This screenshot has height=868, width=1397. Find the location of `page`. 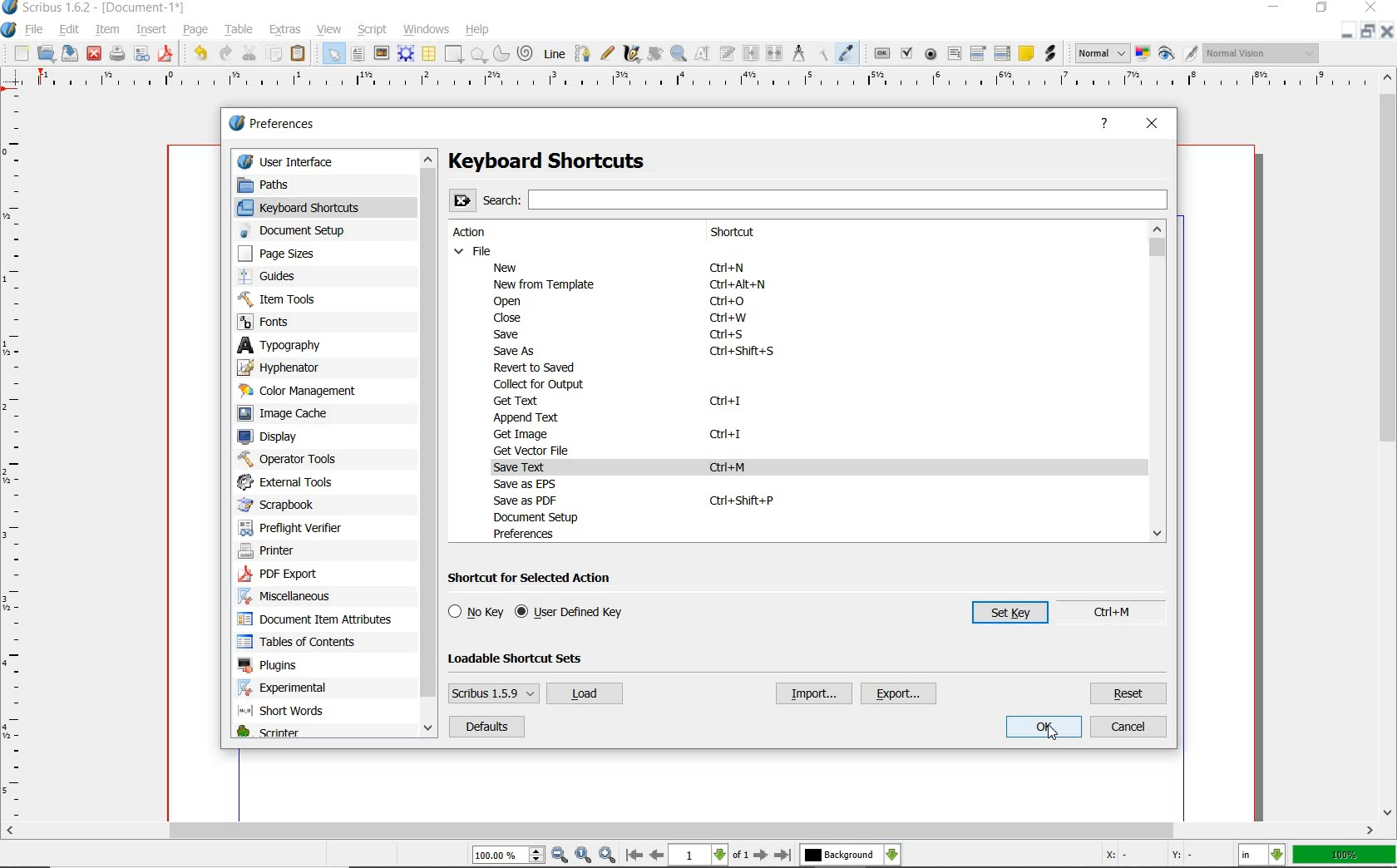

page is located at coordinates (195, 30).